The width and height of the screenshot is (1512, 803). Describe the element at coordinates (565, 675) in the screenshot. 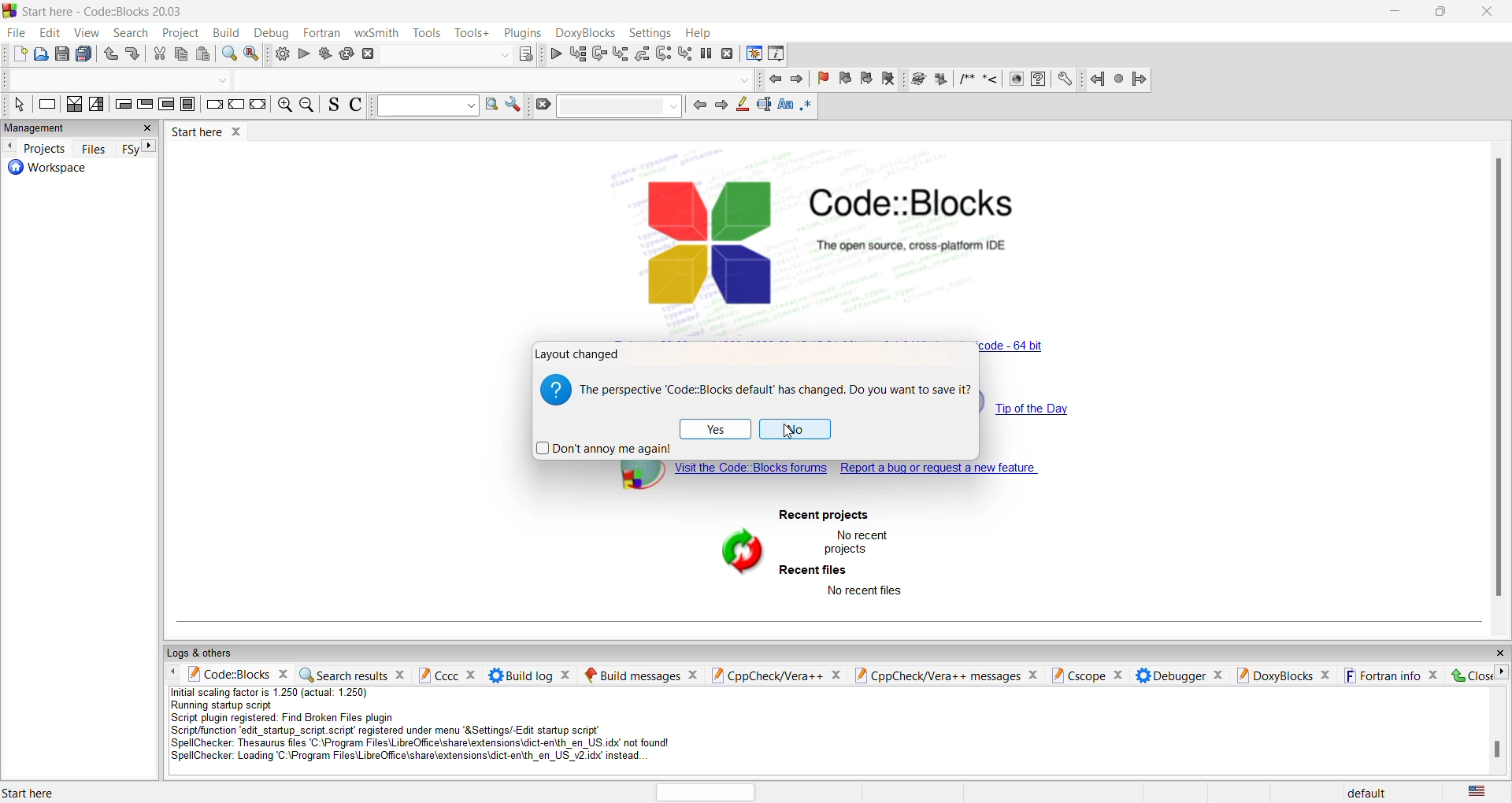

I see `close` at that location.